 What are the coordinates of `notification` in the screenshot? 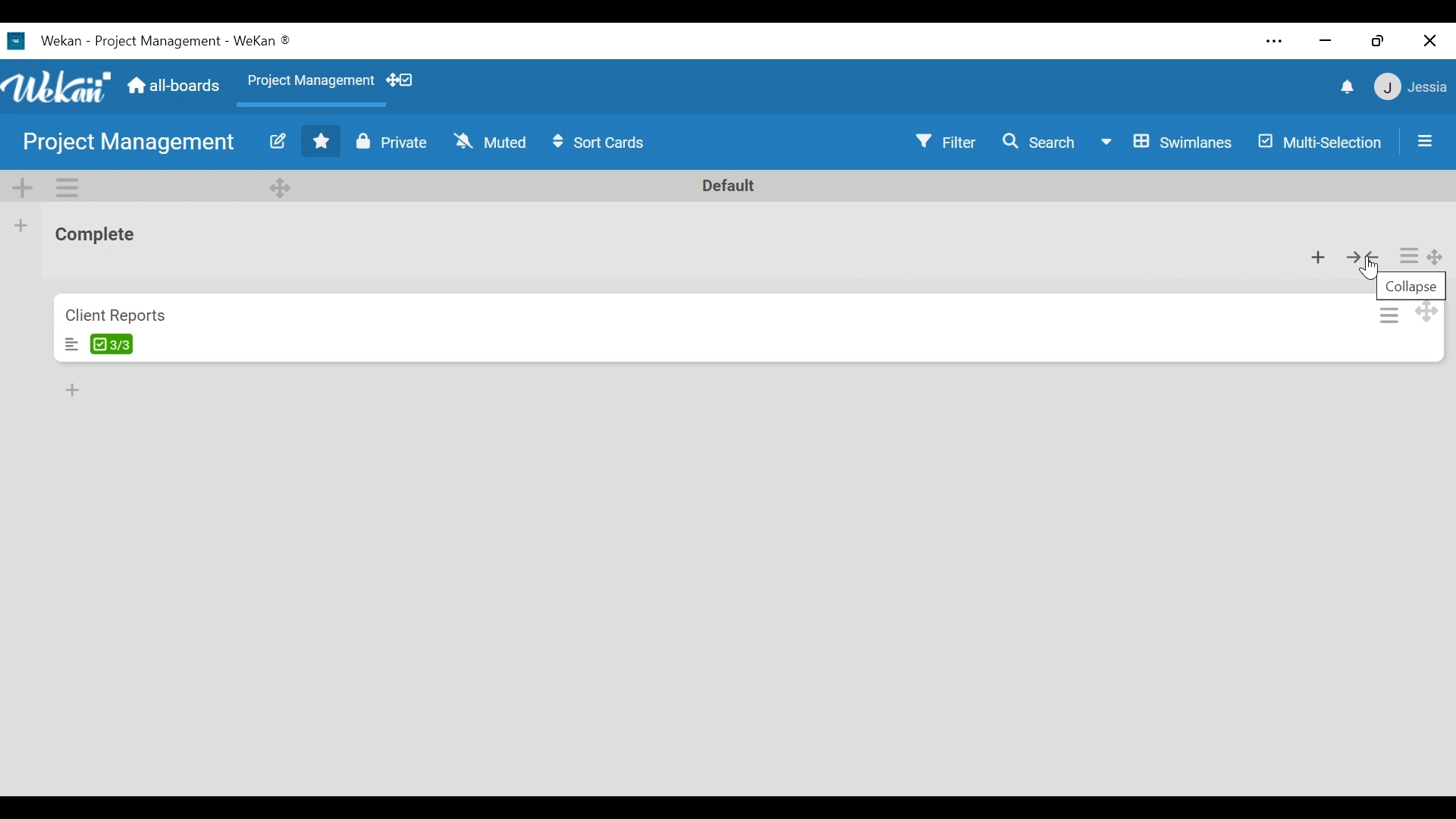 It's located at (1345, 87).